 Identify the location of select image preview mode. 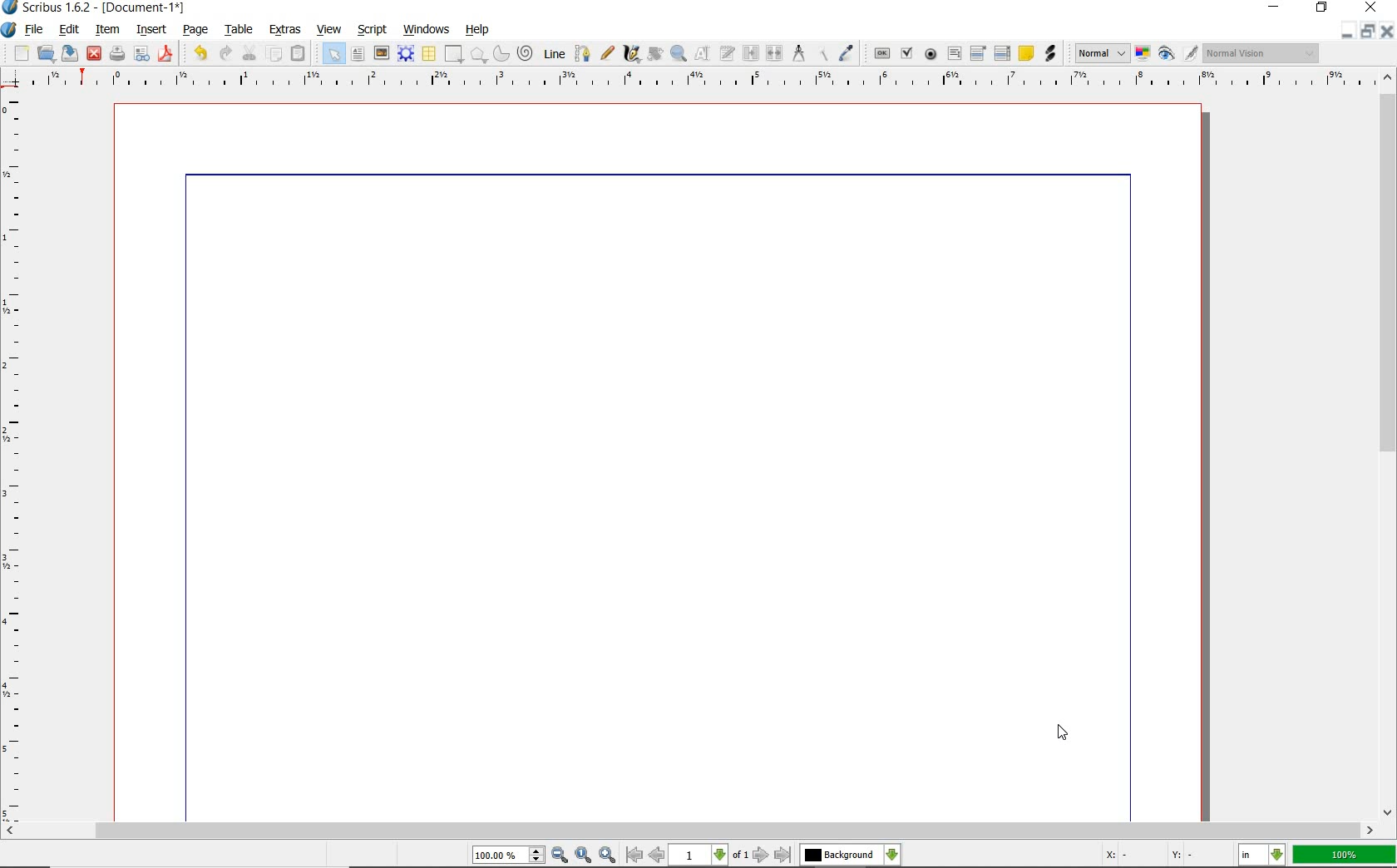
(1102, 54).